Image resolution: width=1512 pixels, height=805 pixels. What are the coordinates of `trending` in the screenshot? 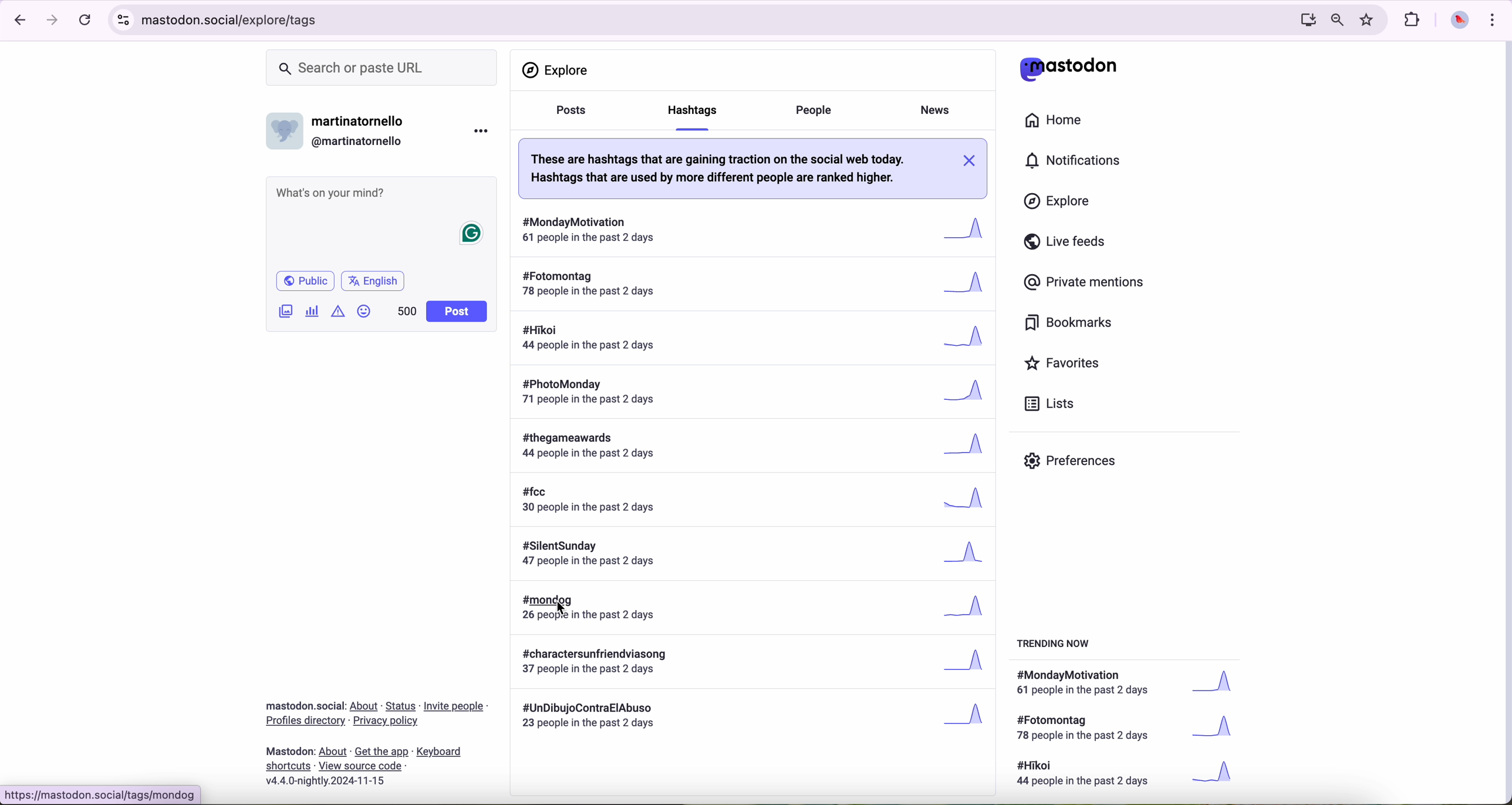 It's located at (1057, 646).